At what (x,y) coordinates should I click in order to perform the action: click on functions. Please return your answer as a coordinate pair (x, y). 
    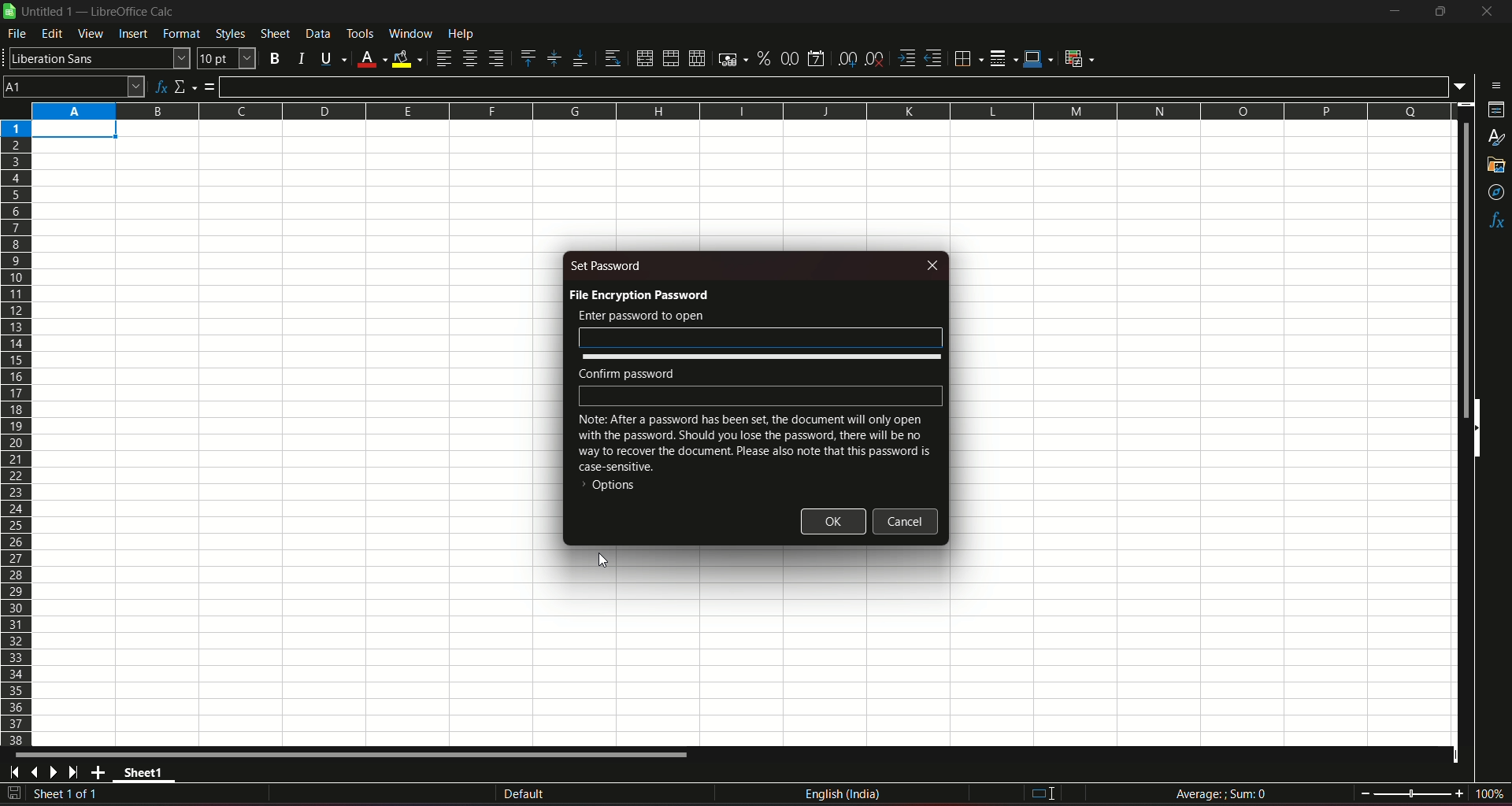
    Looking at the image, I should click on (1495, 221).